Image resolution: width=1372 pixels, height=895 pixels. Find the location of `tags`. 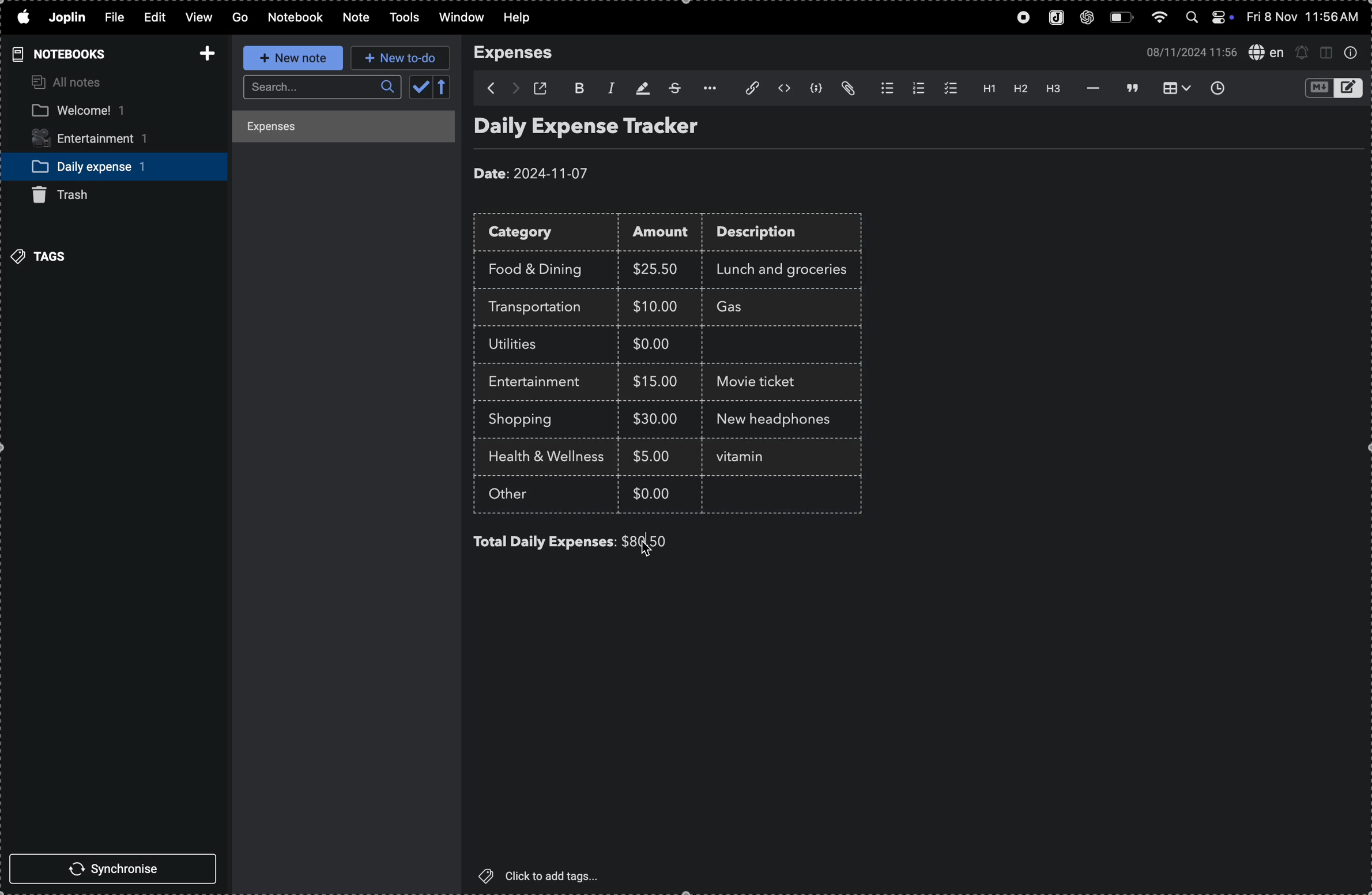

tags is located at coordinates (43, 255).